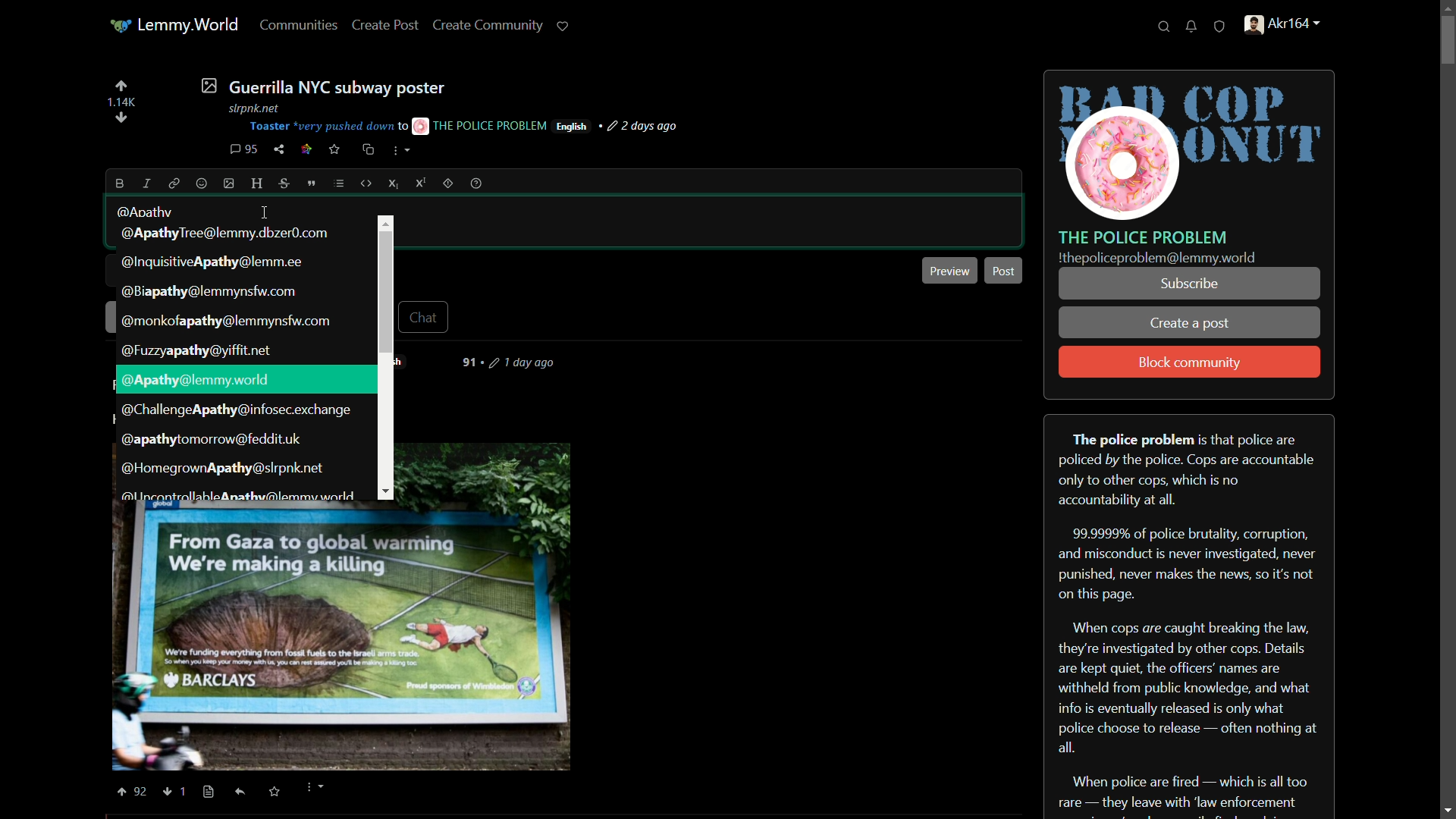  I want to click on days , so click(516, 362).